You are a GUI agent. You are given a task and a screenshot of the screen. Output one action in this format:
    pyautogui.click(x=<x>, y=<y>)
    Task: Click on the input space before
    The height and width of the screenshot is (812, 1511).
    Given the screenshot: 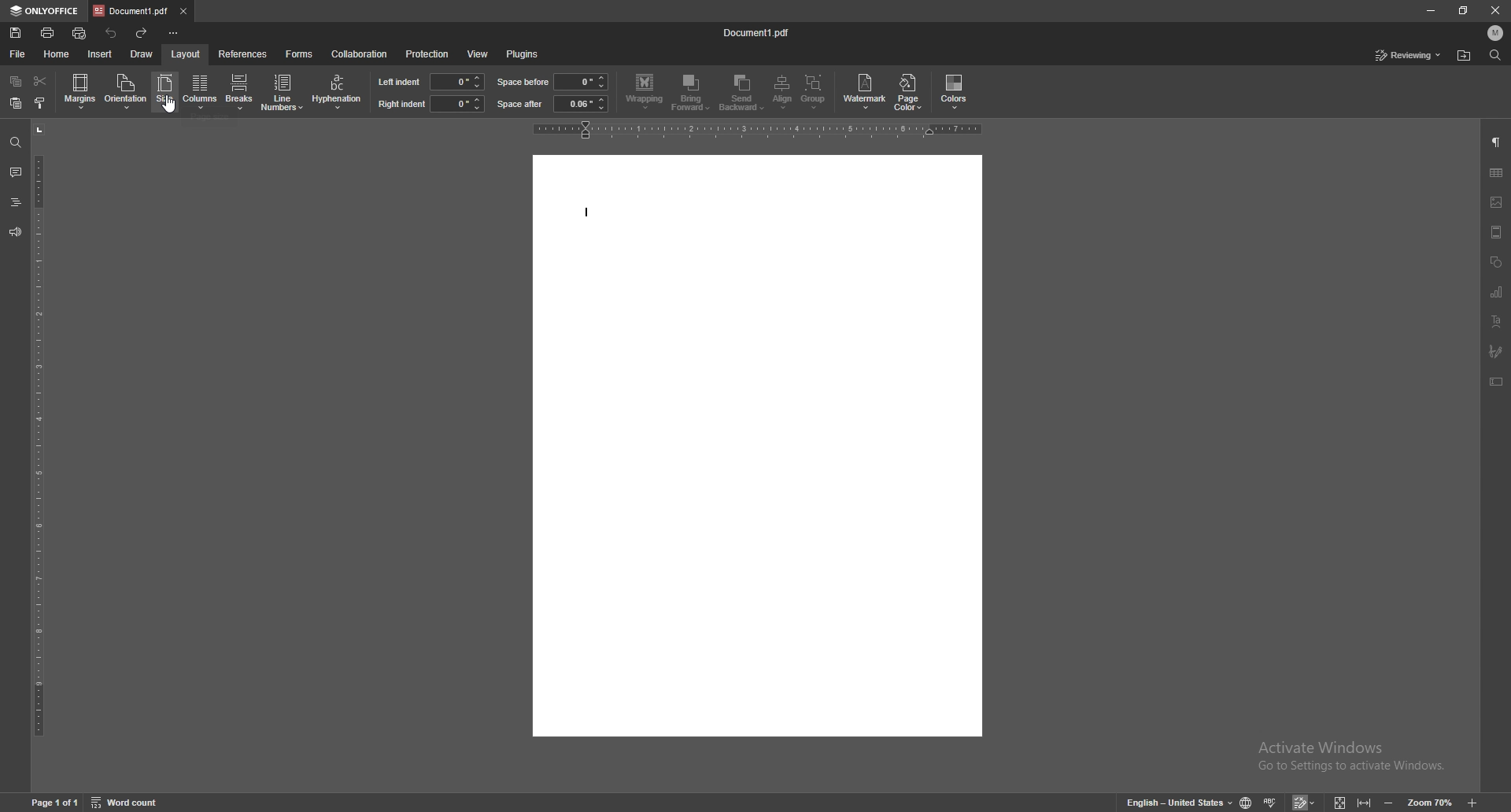 What is the action you would take?
    pyautogui.click(x=579, y=82)
    